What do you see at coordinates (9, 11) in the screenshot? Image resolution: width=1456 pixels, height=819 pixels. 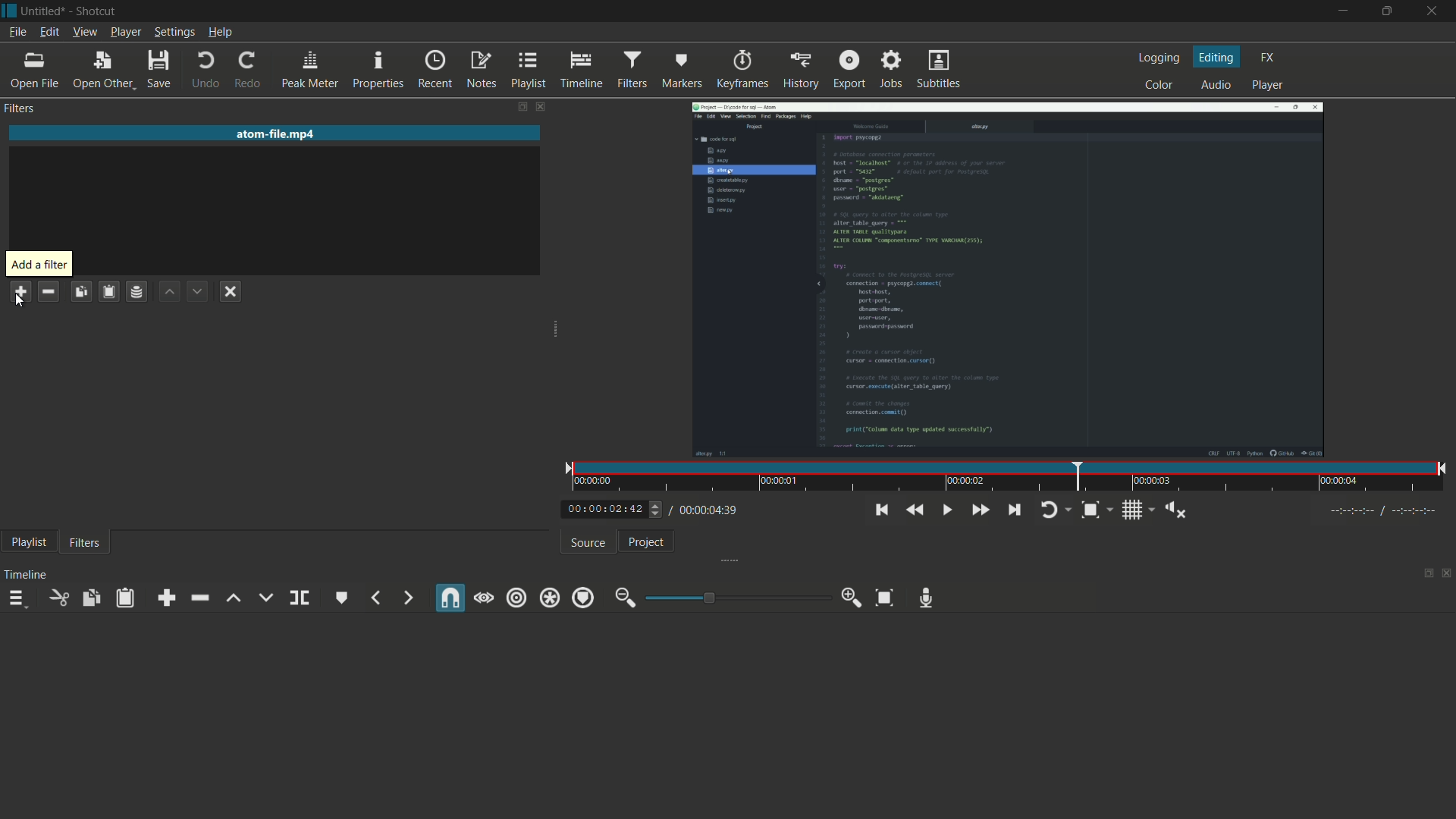 I see `app icon` at bounding box center [9, 11].